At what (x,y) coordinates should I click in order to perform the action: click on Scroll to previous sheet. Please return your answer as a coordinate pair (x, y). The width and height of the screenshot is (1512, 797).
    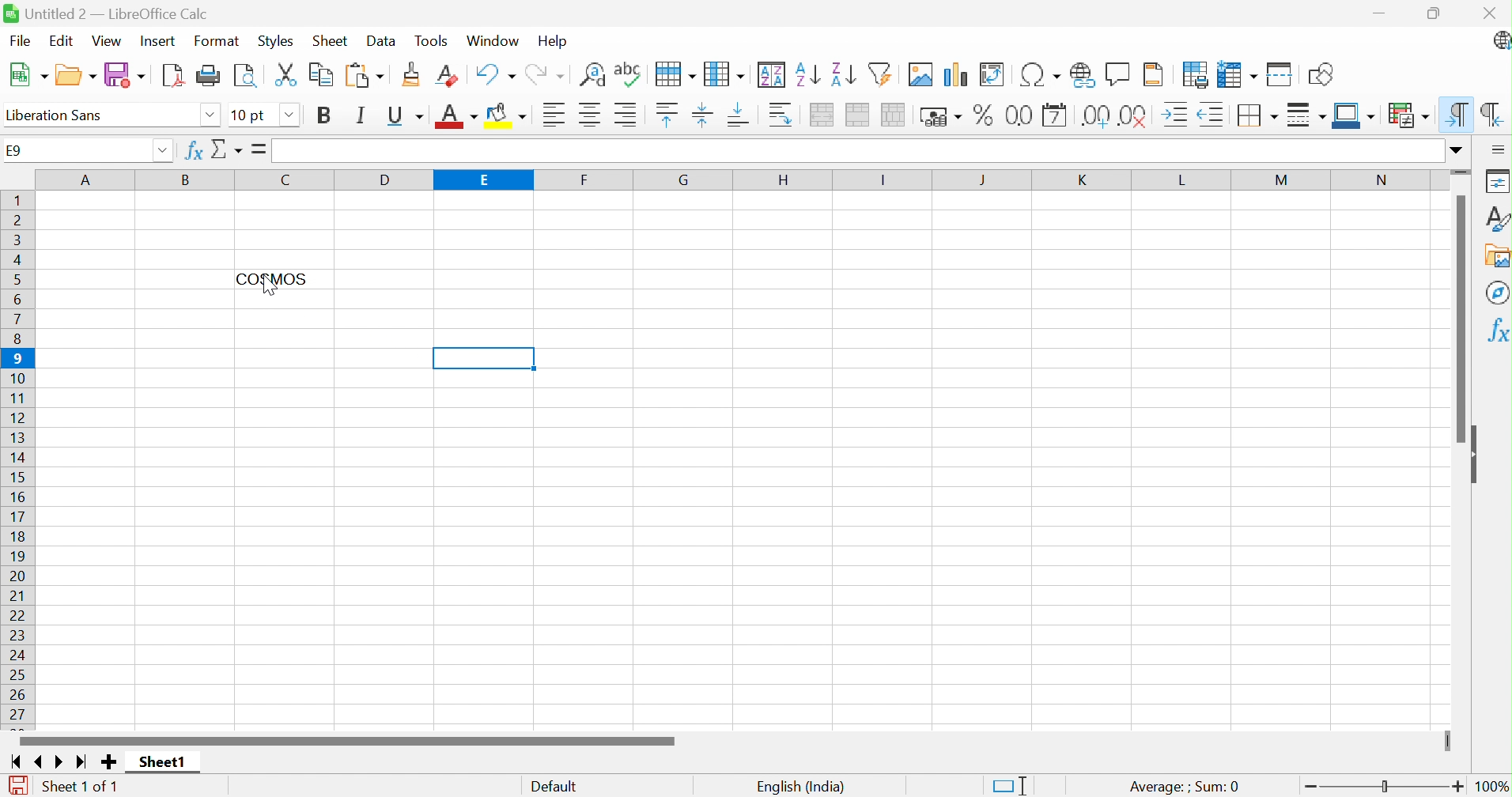
    Looking at the image, I should click on (43, 760).